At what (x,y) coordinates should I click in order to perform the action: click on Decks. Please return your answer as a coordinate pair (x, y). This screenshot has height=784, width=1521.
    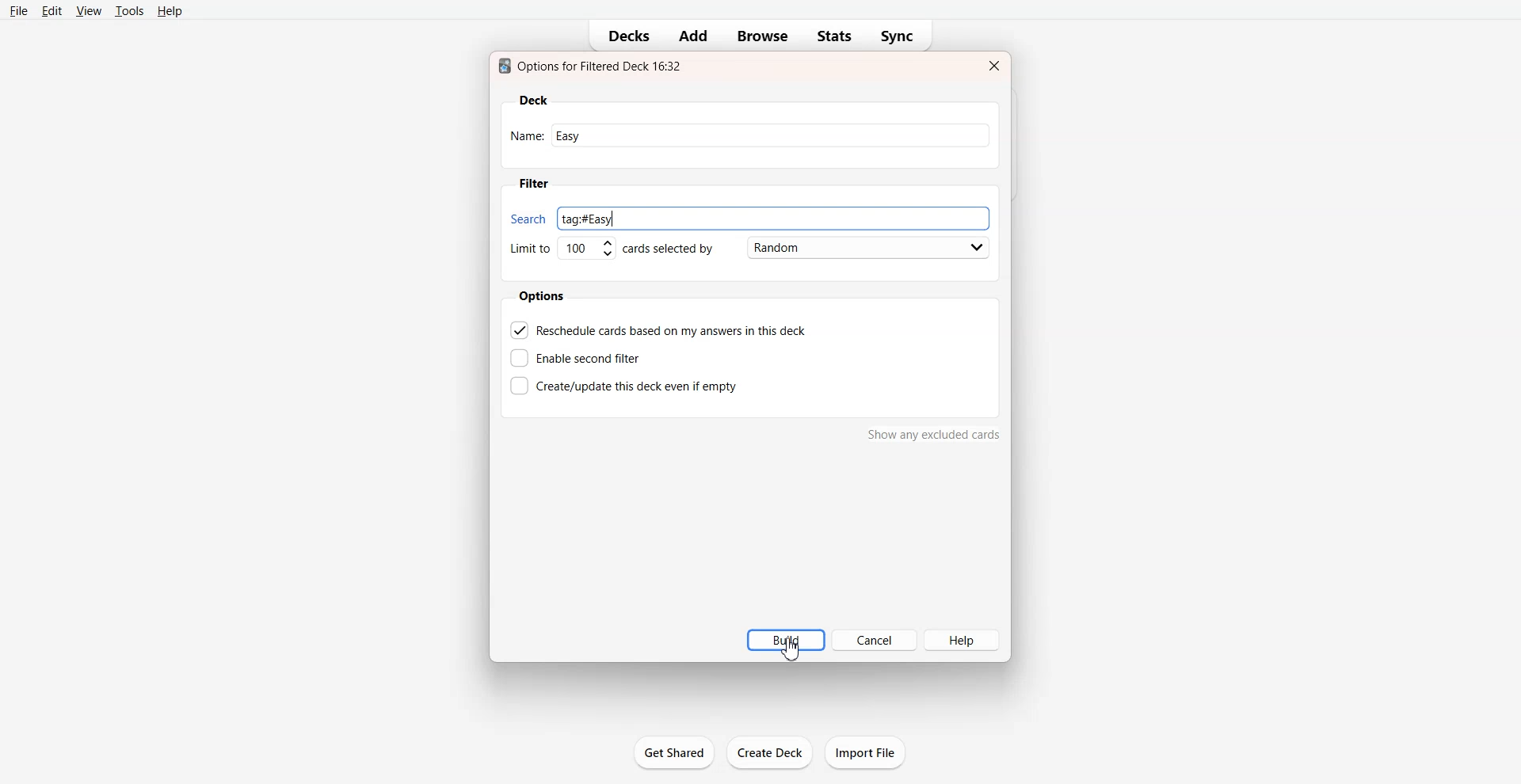
    Looking at the image, I should click on (623, 36).